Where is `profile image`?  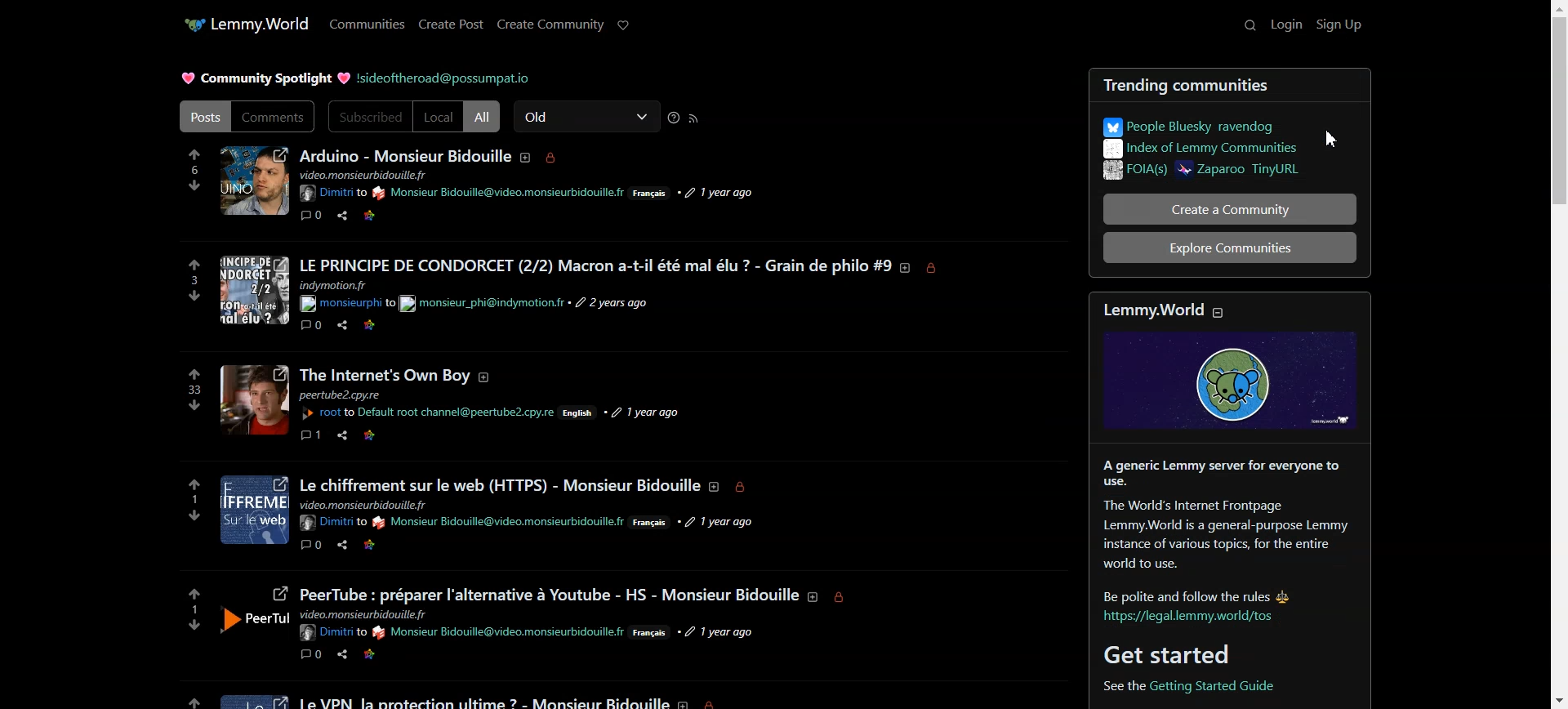
profile image is located at coordinates (254, 616).